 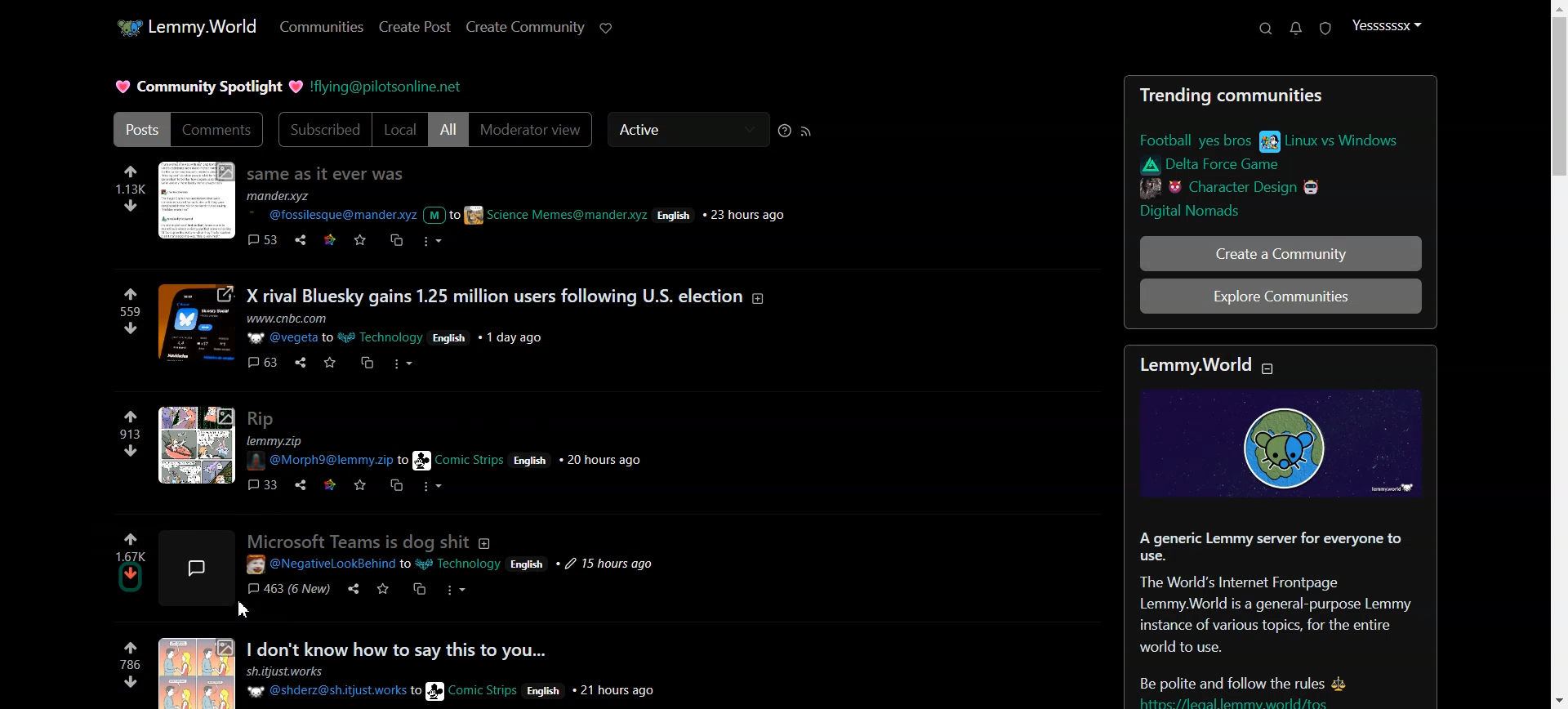 What do you see at coordinates (207, 564) in the screenshot?
I see `image` at bounding box center [207, 564].